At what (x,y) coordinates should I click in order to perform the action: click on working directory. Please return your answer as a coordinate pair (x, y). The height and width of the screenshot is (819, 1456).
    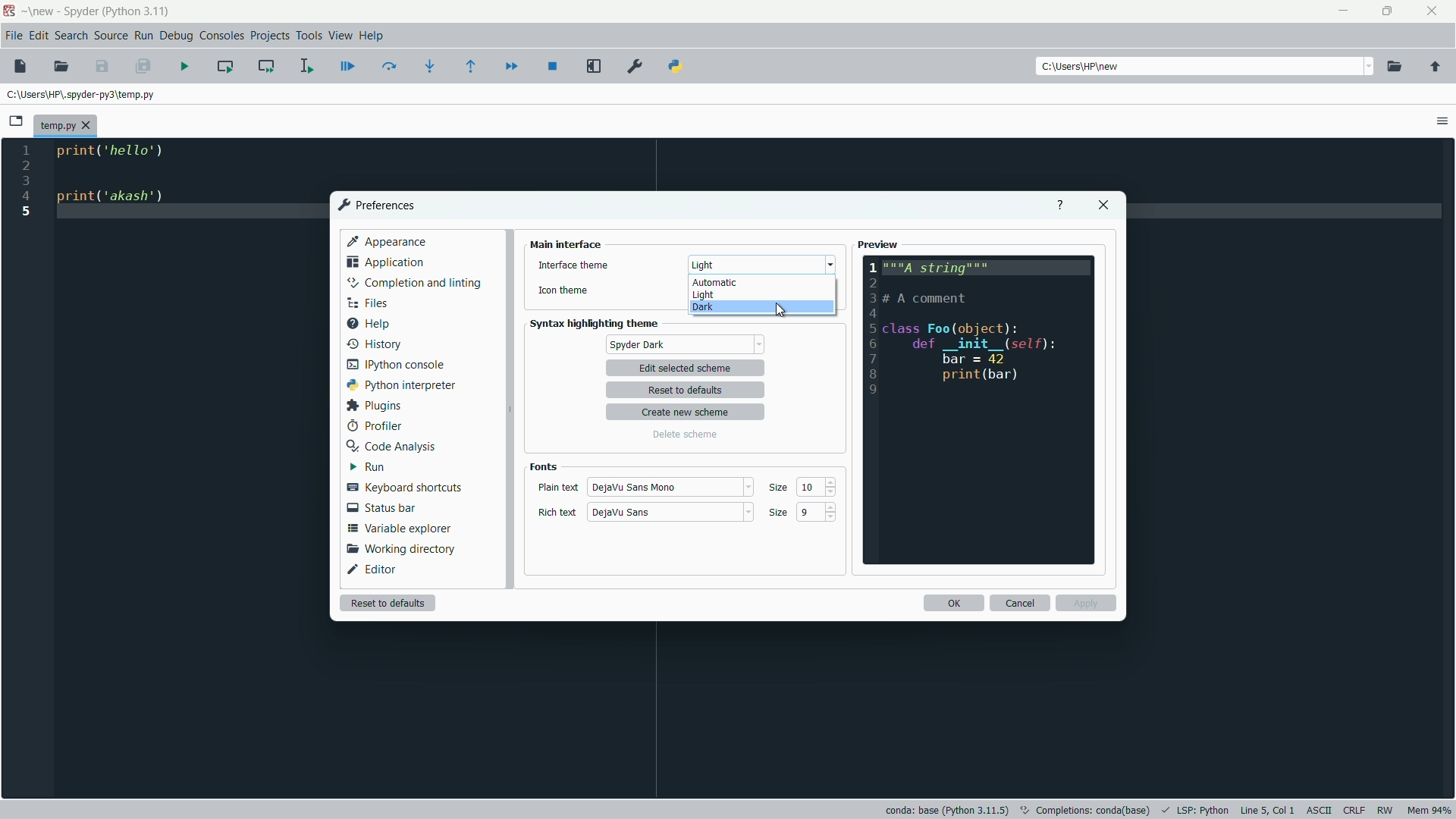
    Looking at the image, I should click on (397, 550).